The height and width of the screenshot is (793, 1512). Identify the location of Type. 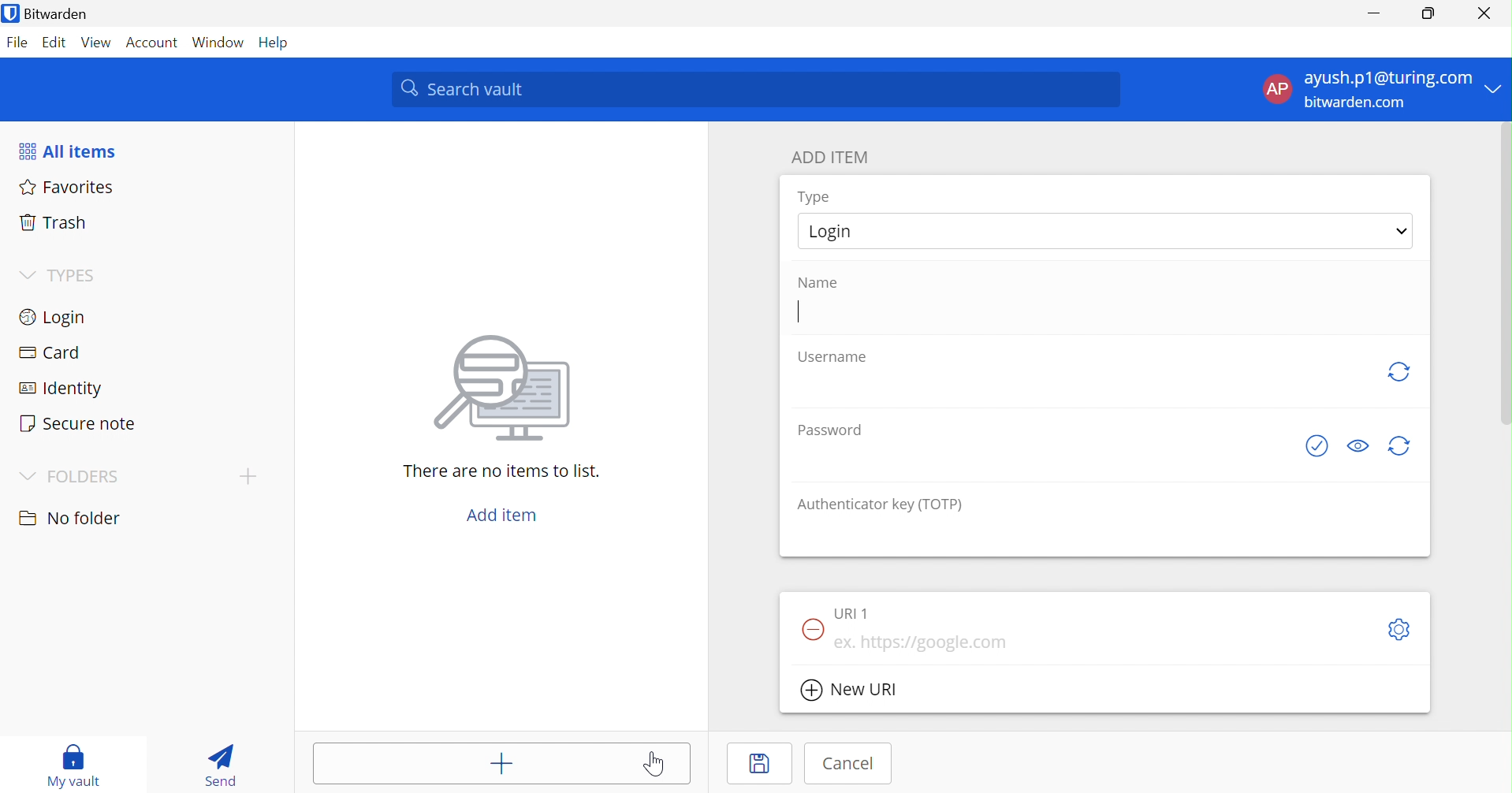
(813, 196).